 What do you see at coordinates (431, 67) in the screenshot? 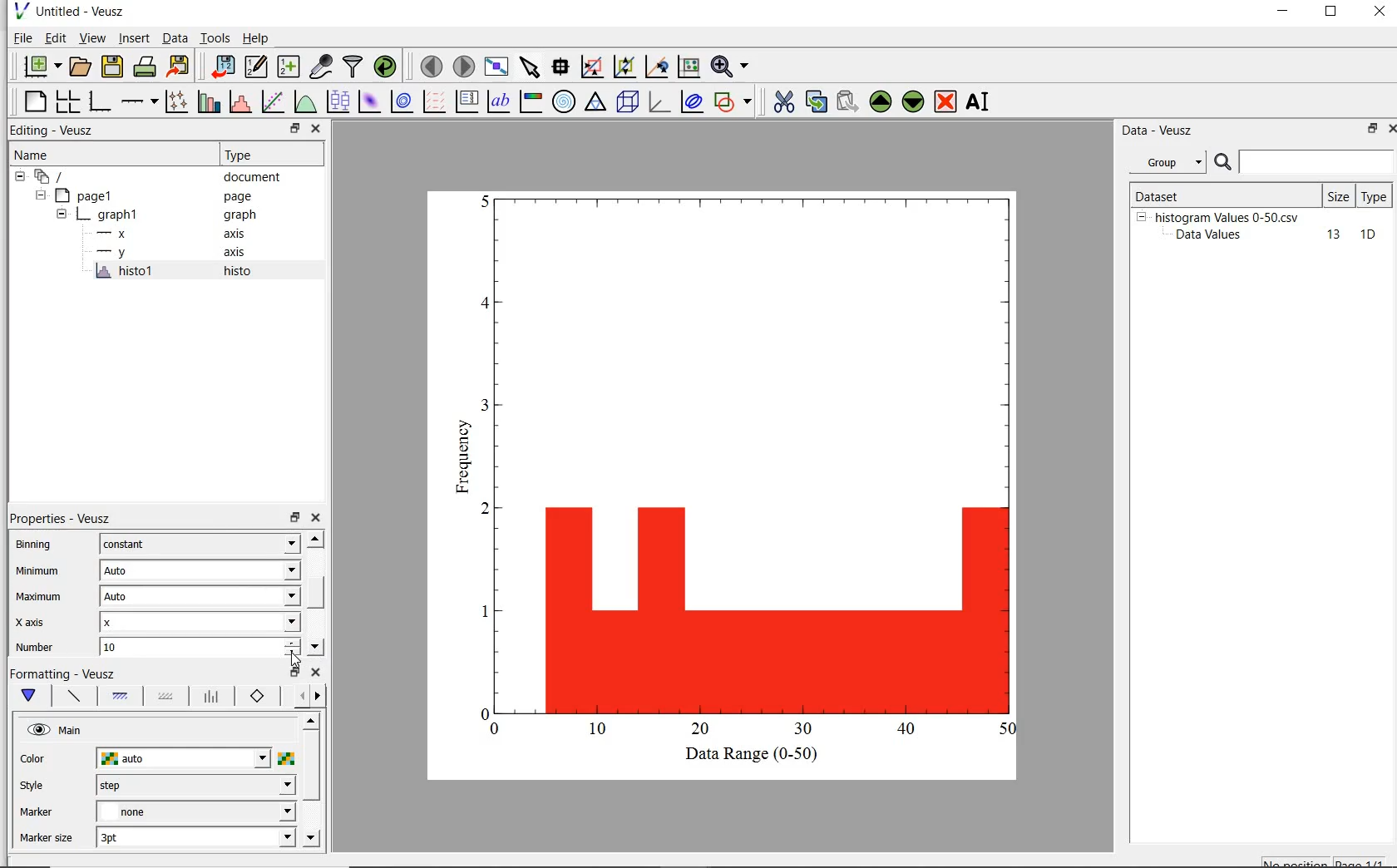
I see `move to previous page` at bounding box center [431, 67].